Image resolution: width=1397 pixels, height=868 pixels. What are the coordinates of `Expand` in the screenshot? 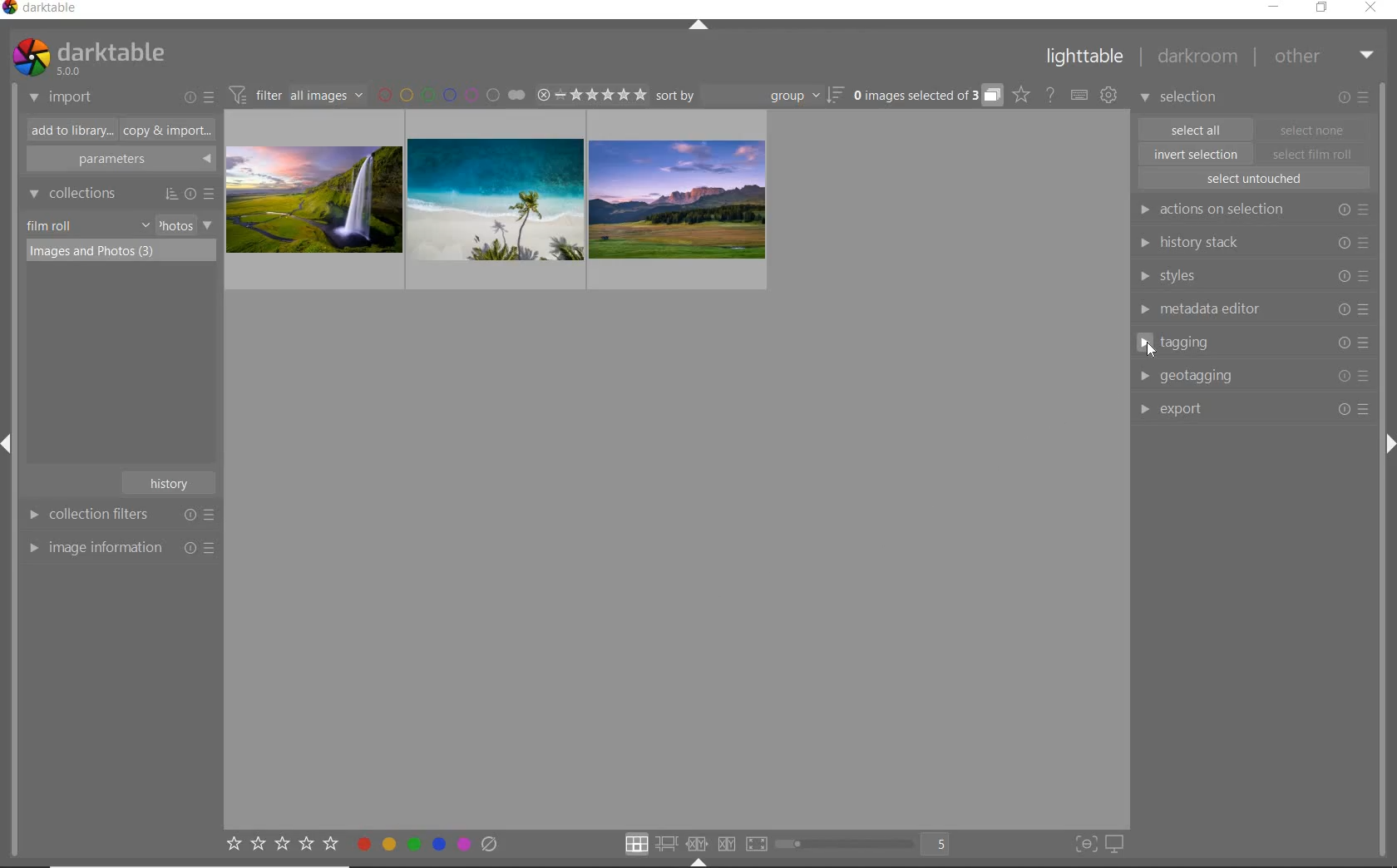 It's located at (1387, 440).